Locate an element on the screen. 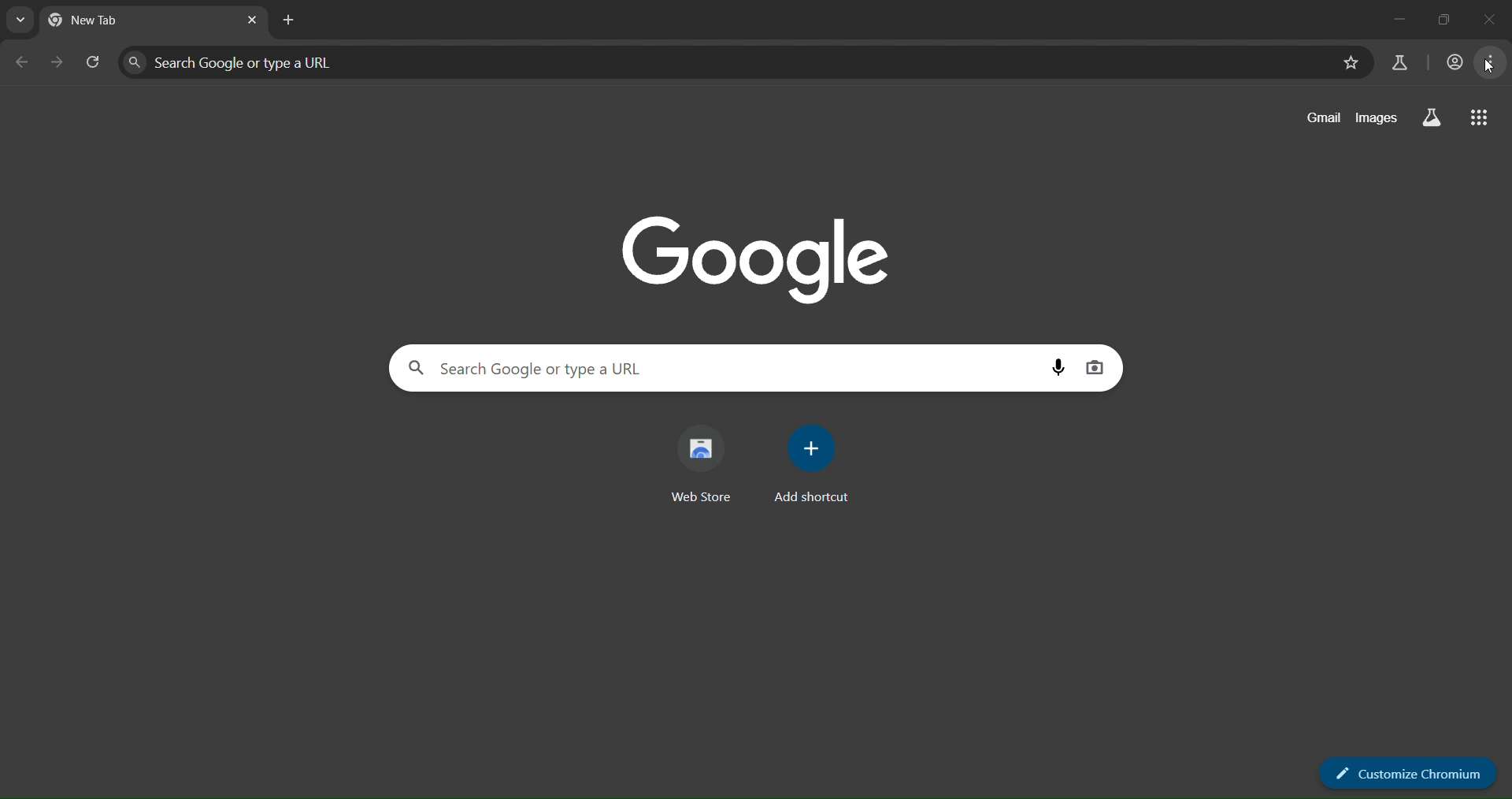 The height and width of the screenshot is (799, 1512). minimize is located at coordinates (1391, 17).